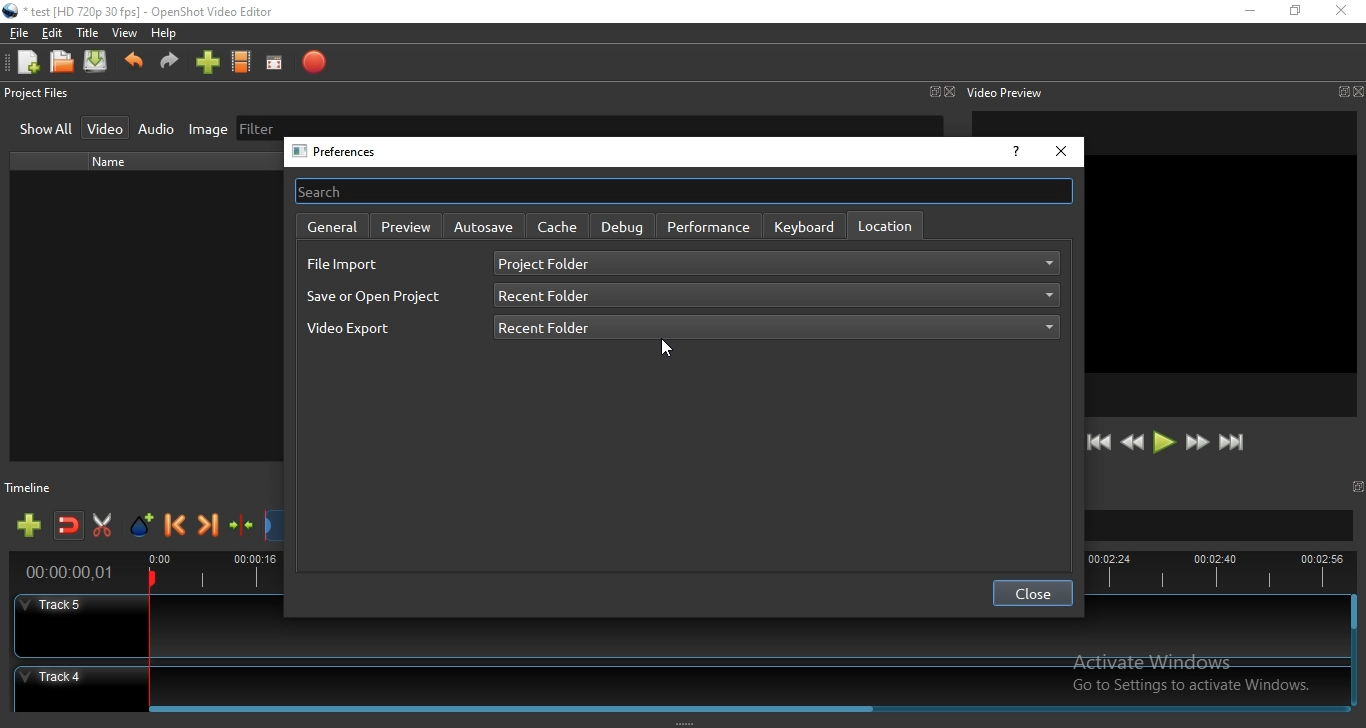 Image resolution: width=1366 pixels, height=728 pixels. I want to click on perfromance, so click(709, 227).